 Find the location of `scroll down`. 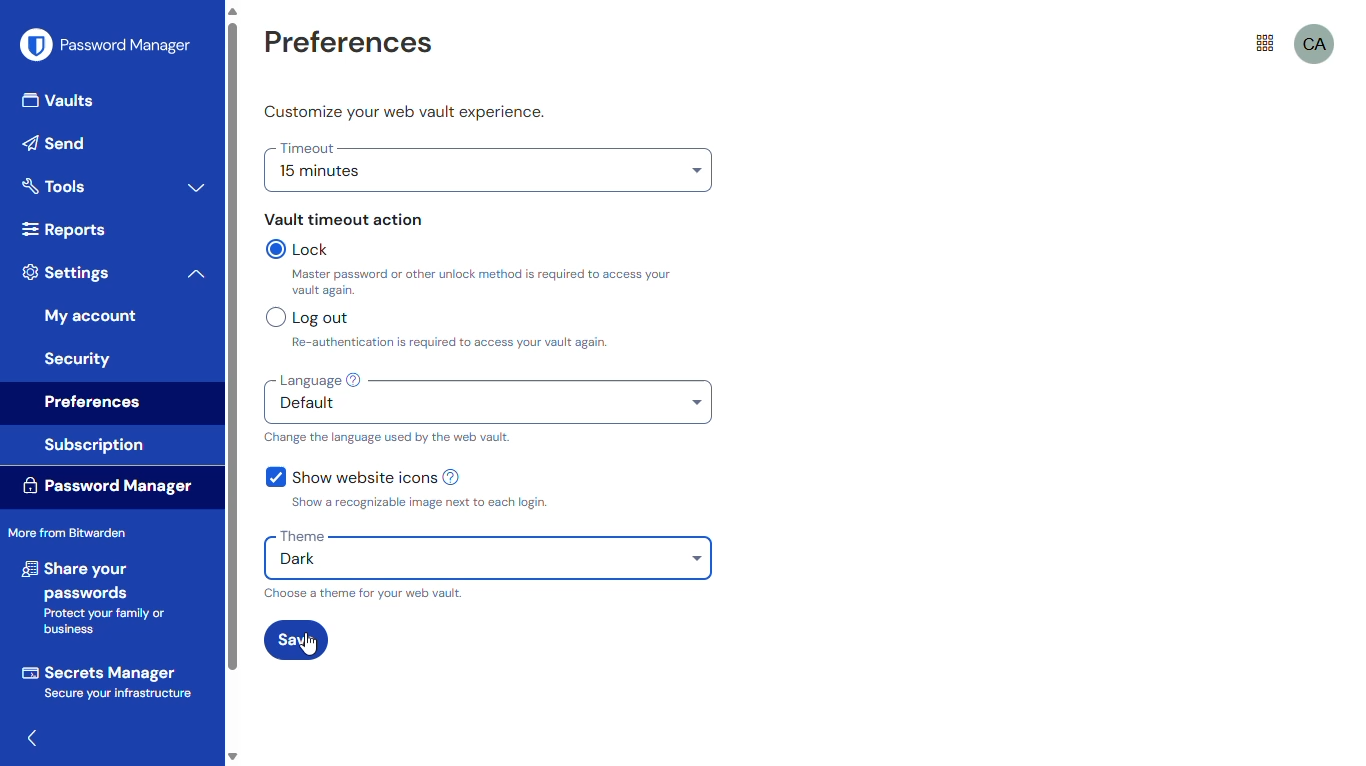

scroll down is located at coordinates (232, 758).